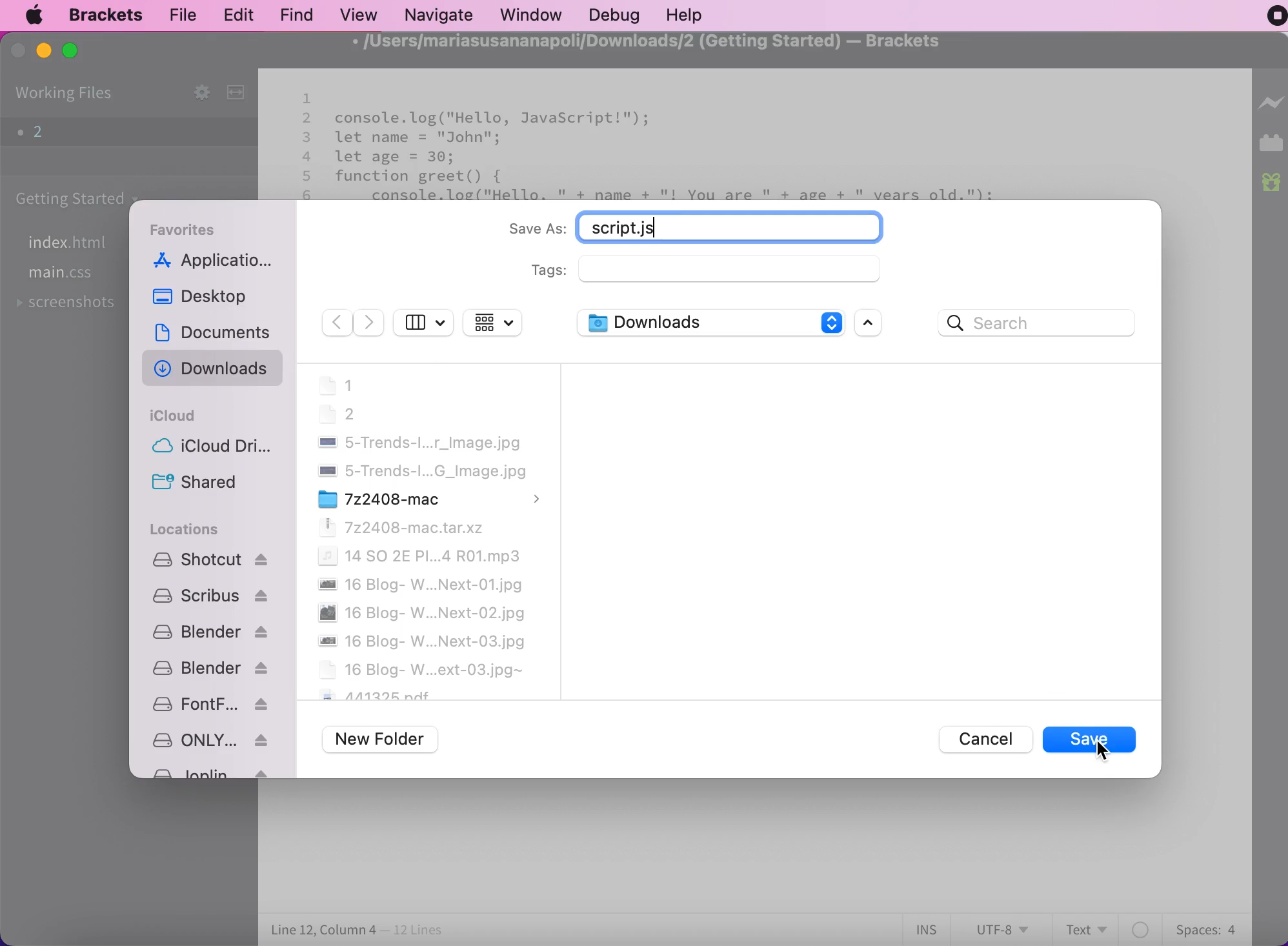 Image resolution: width=1288 pixels, height=946 pixels. Describe the element at coordinates (17, 54) in the screenshot. I see `close` at that location.